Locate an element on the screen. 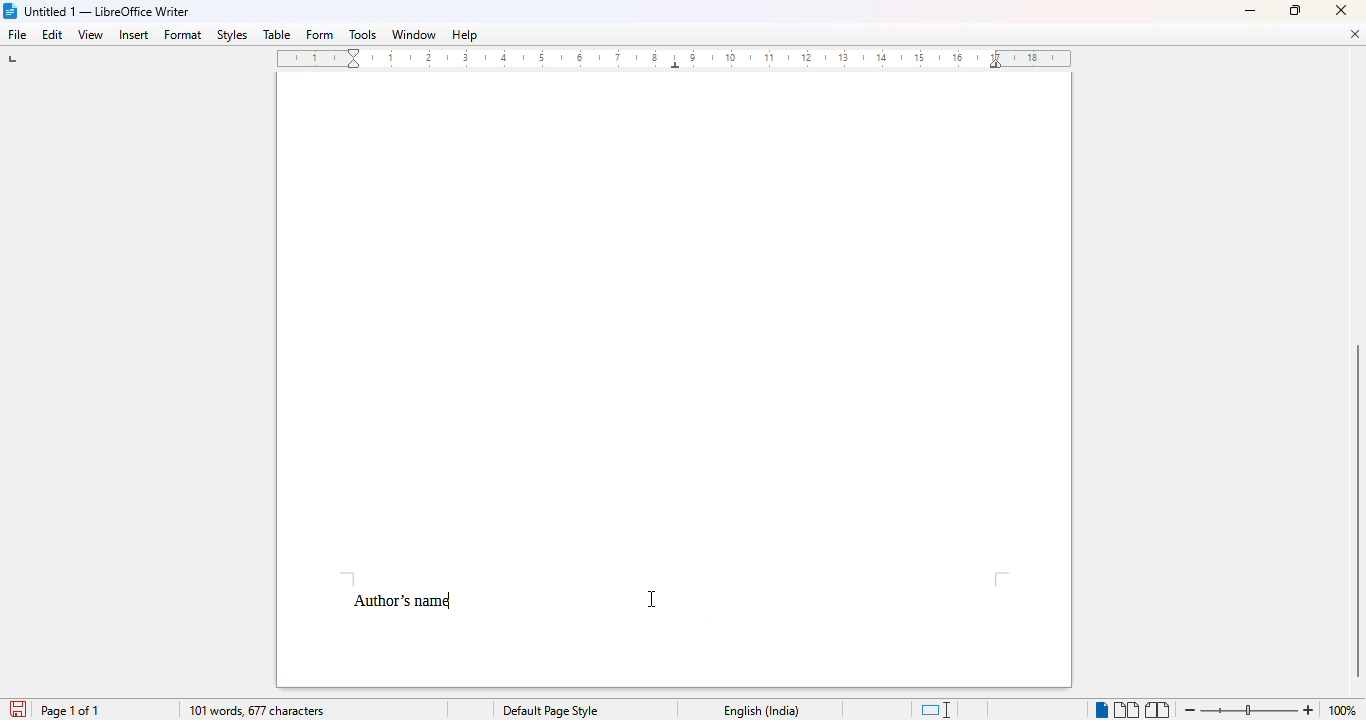 Image resolution: width=1366 pixels, height=720 pixels. English (India) is located at coordinates (762, 711).